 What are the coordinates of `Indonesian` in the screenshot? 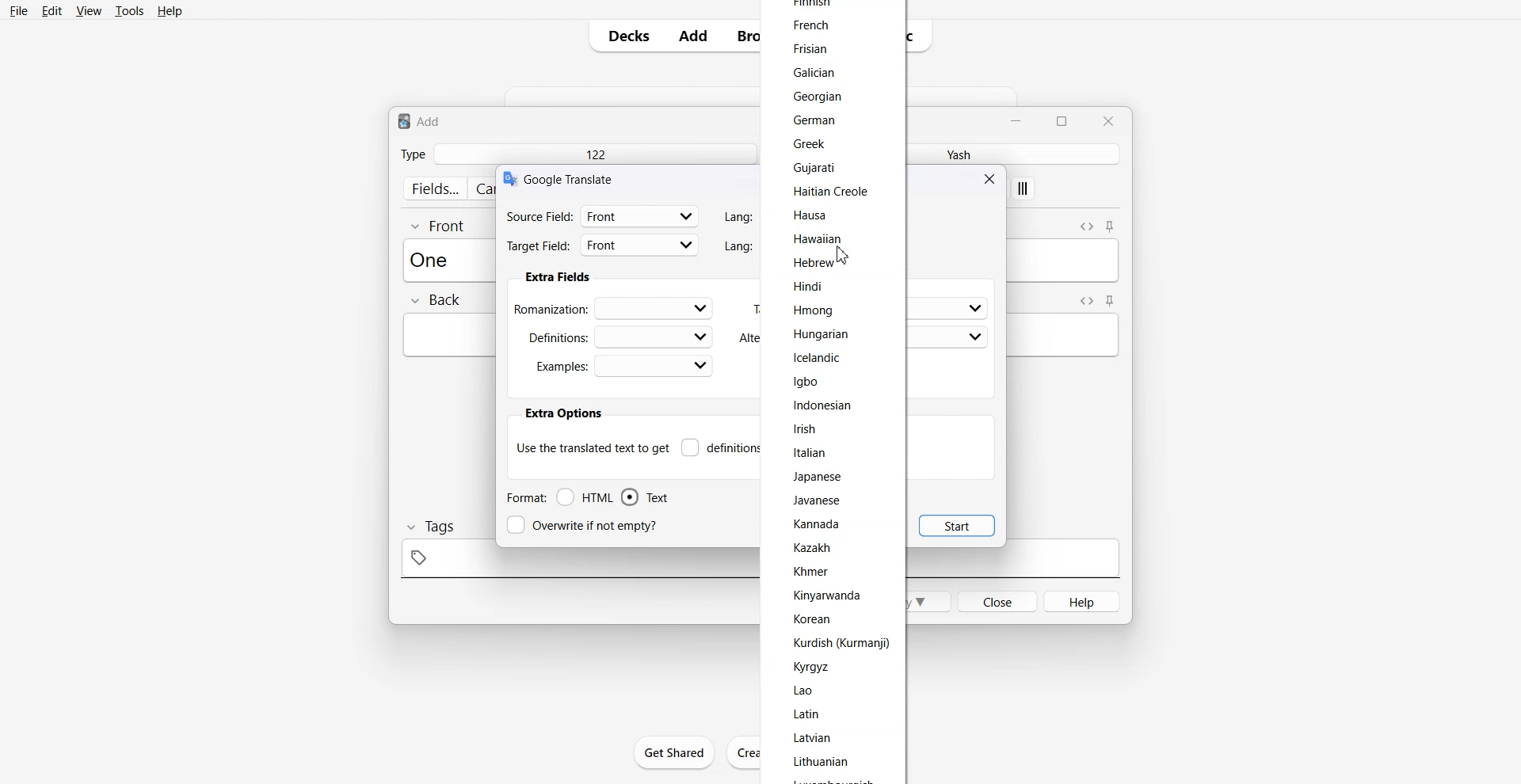 It's located at (822, 405).